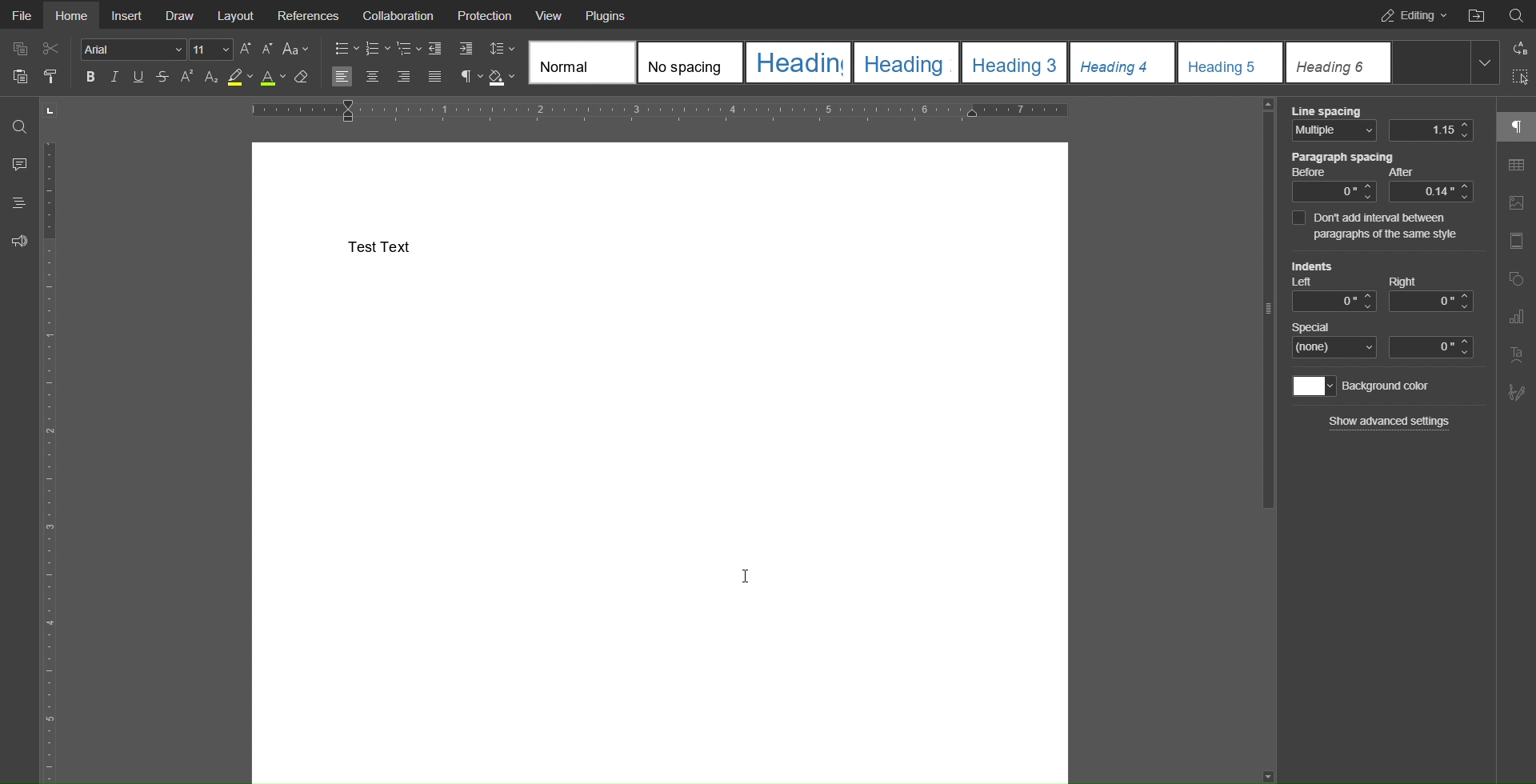 The image size is (1536, 784). What do you see at coordinates (273, 78) in the screenshot?
I see `Text Color` at bounding box center [273, 78].